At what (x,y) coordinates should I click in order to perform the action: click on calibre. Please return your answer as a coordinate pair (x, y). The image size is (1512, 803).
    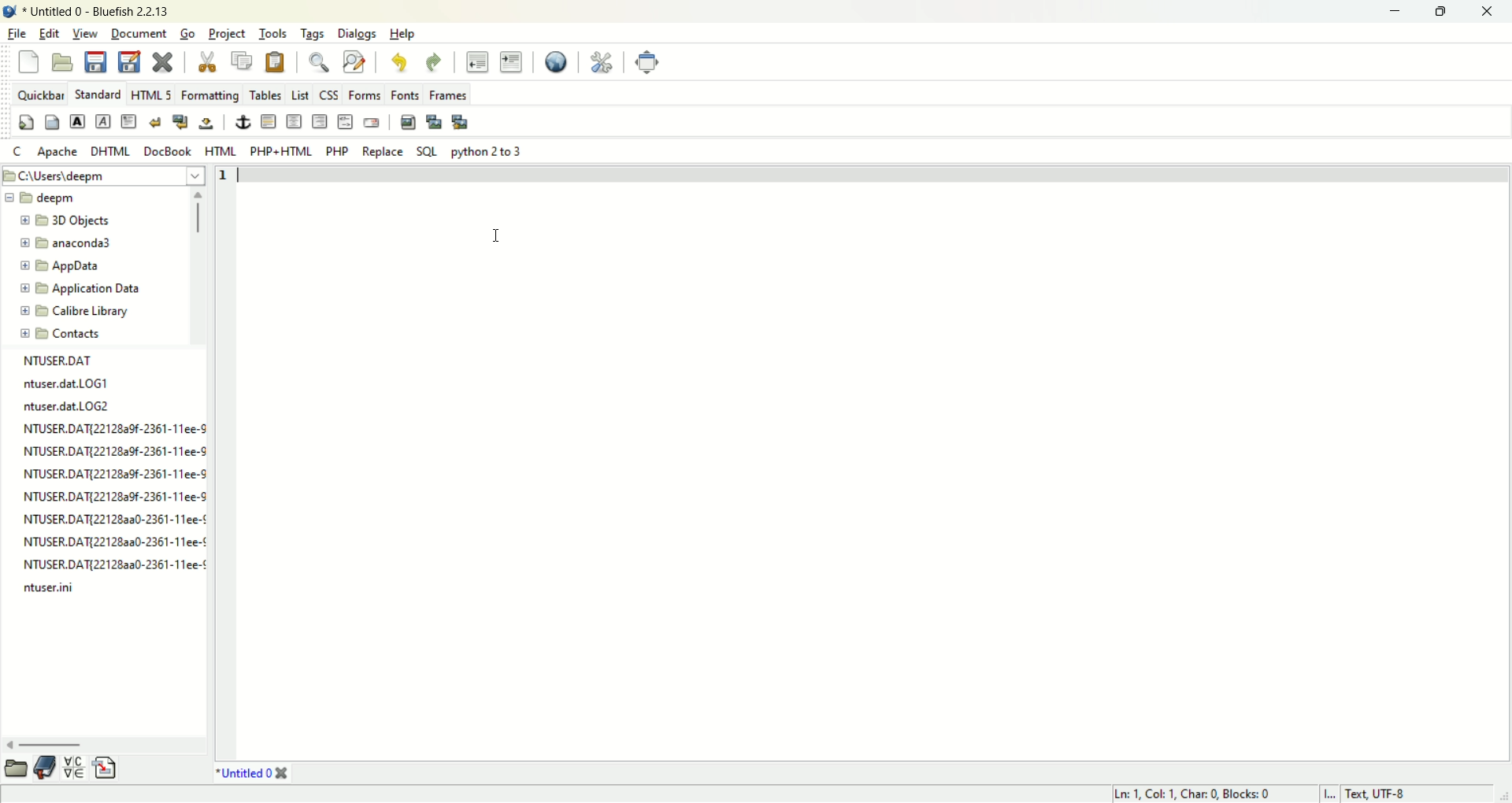
    Looking at the image, I should click on (76, 314).